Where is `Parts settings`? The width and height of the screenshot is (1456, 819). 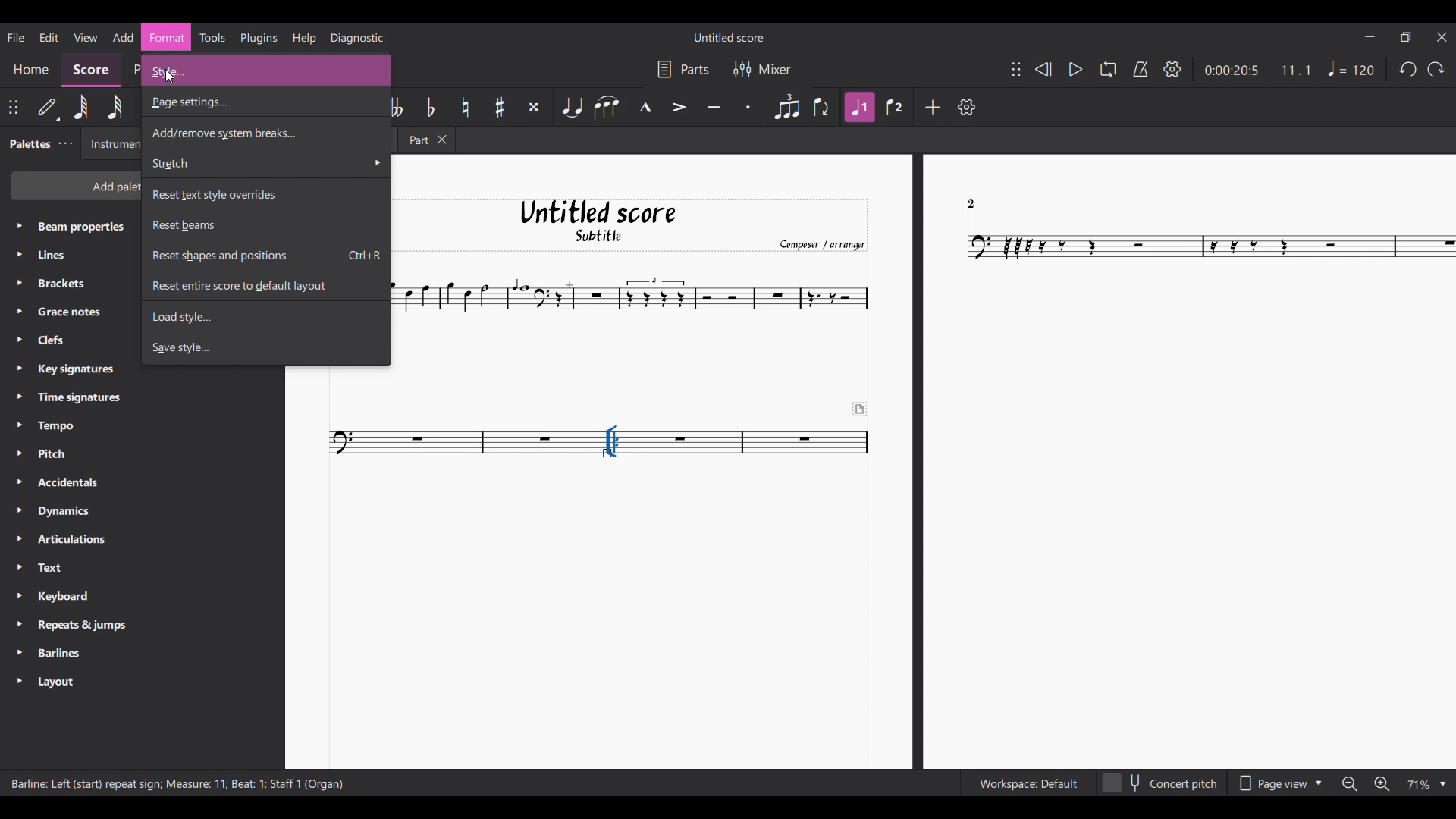 Parts settings is located at coordinates (684, 69).